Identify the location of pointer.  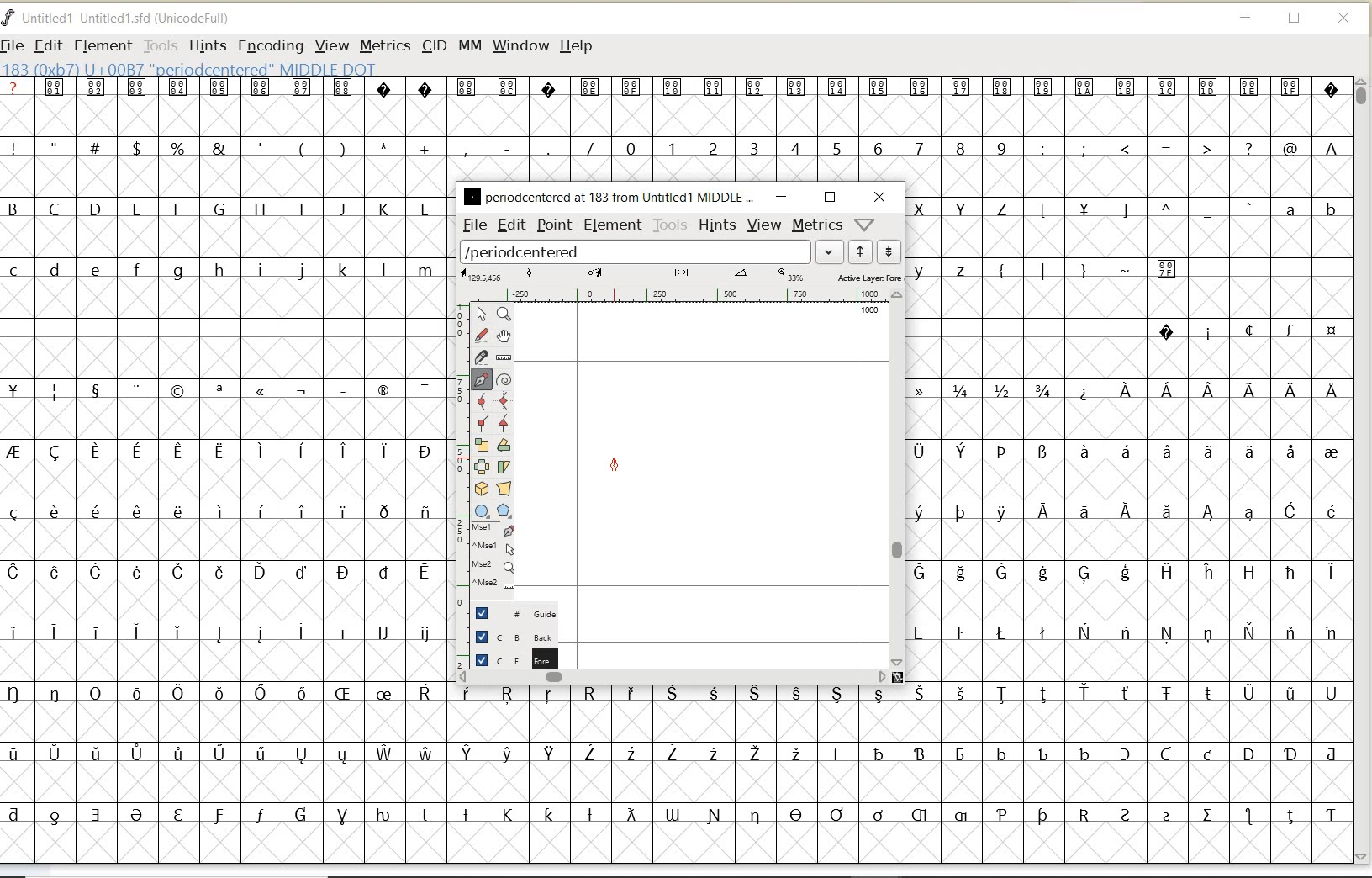
(481, 315).